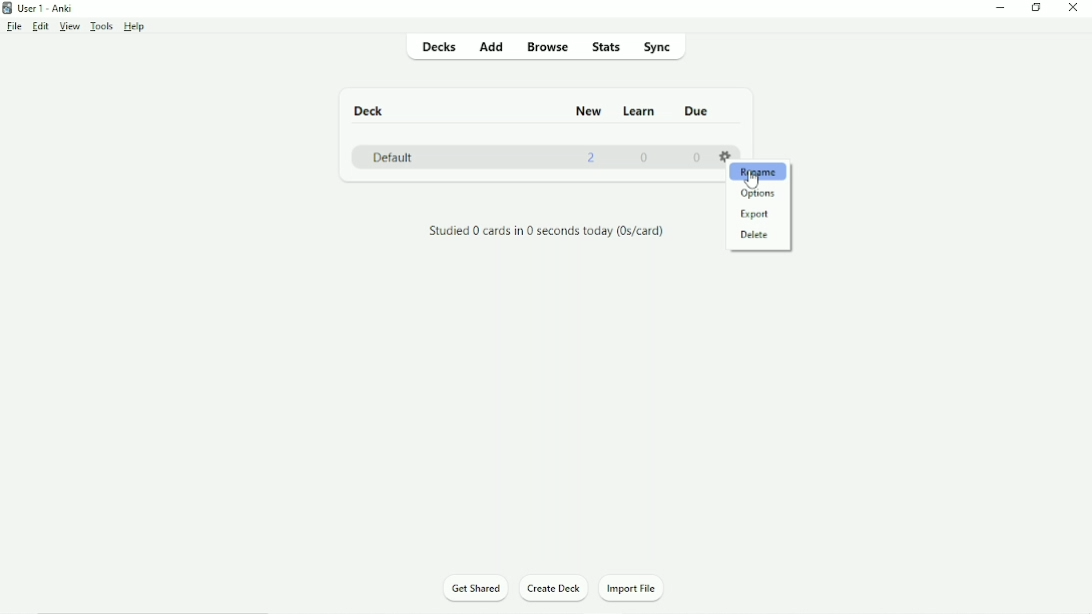 This screenshot has height=614, width=1092. I want to click on Edit, so click(41, 26).